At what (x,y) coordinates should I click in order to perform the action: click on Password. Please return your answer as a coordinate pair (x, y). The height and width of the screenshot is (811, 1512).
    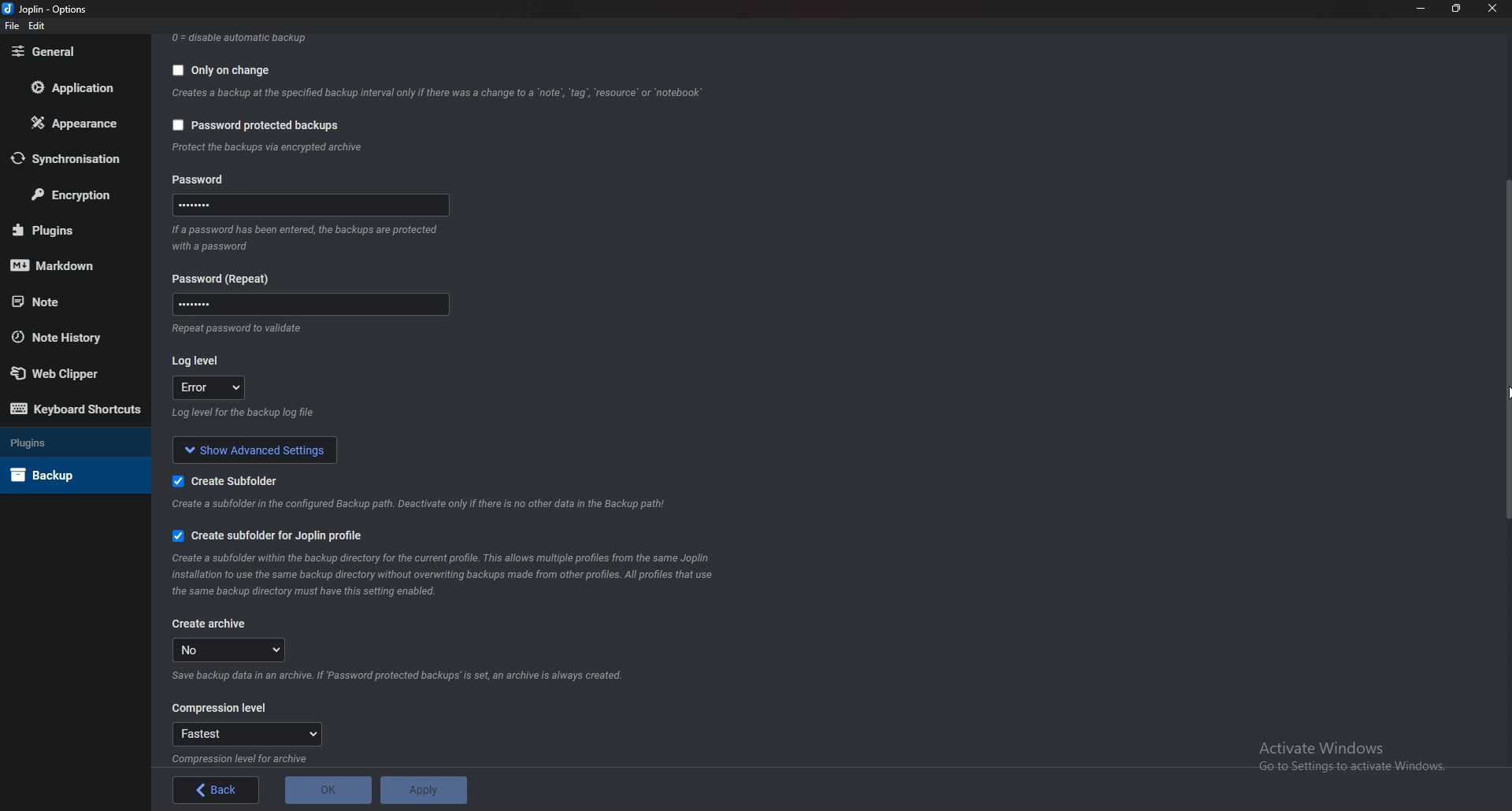
    Looking at the image, I should click on (307, 306).